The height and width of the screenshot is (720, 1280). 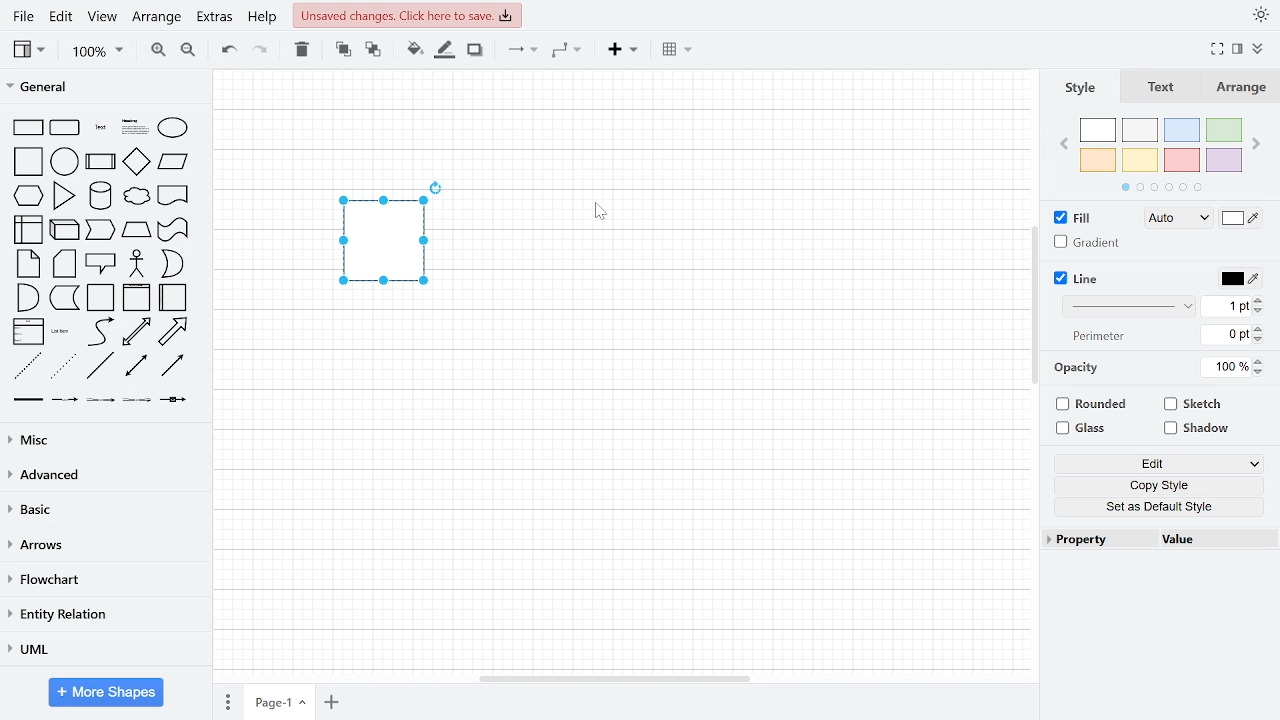 What do you see at coordinates (99, 617) in the screenshot?
I see `entity relation` at bounding box center [99, 617].